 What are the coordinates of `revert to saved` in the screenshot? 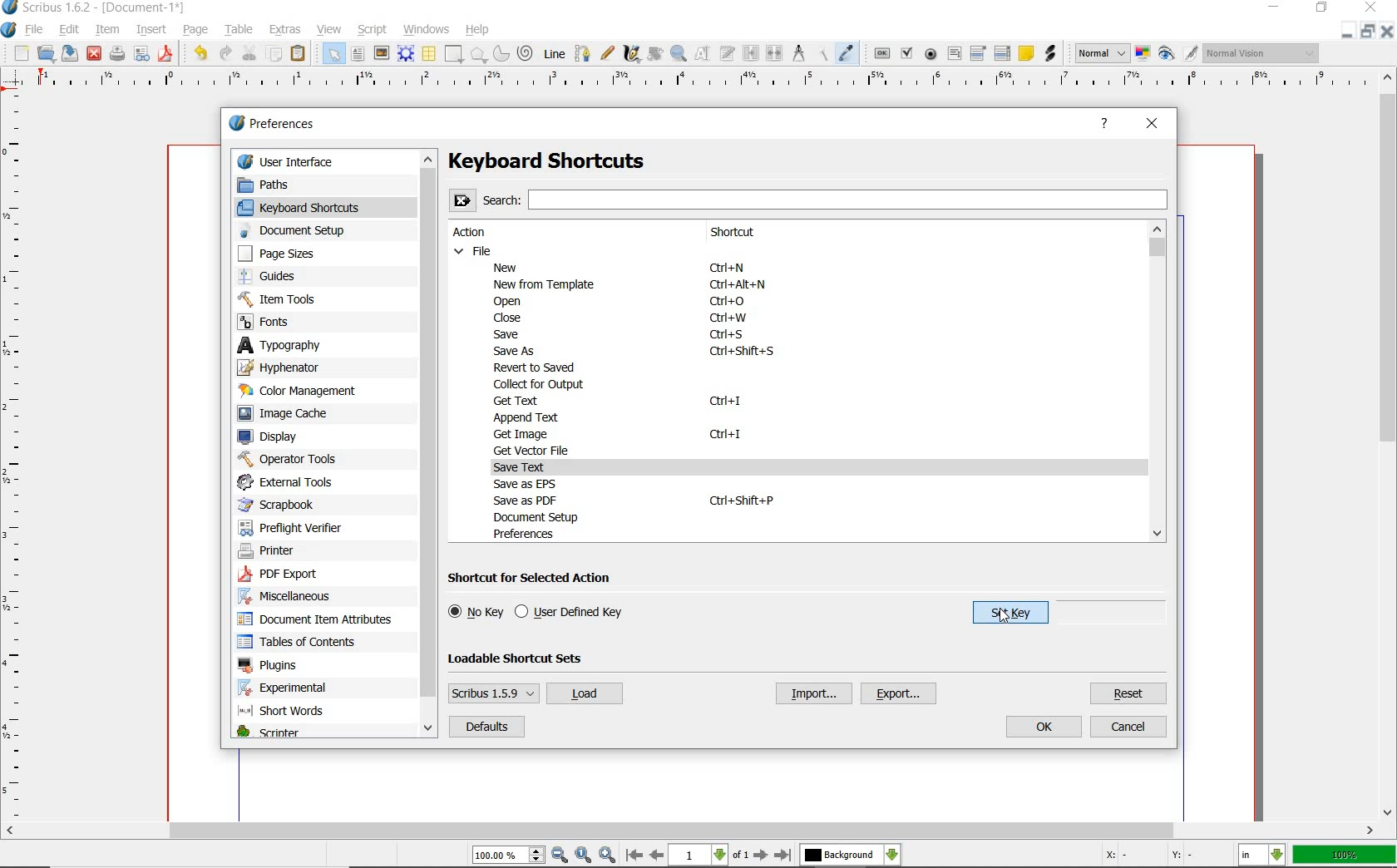 It's located at (538, 368).